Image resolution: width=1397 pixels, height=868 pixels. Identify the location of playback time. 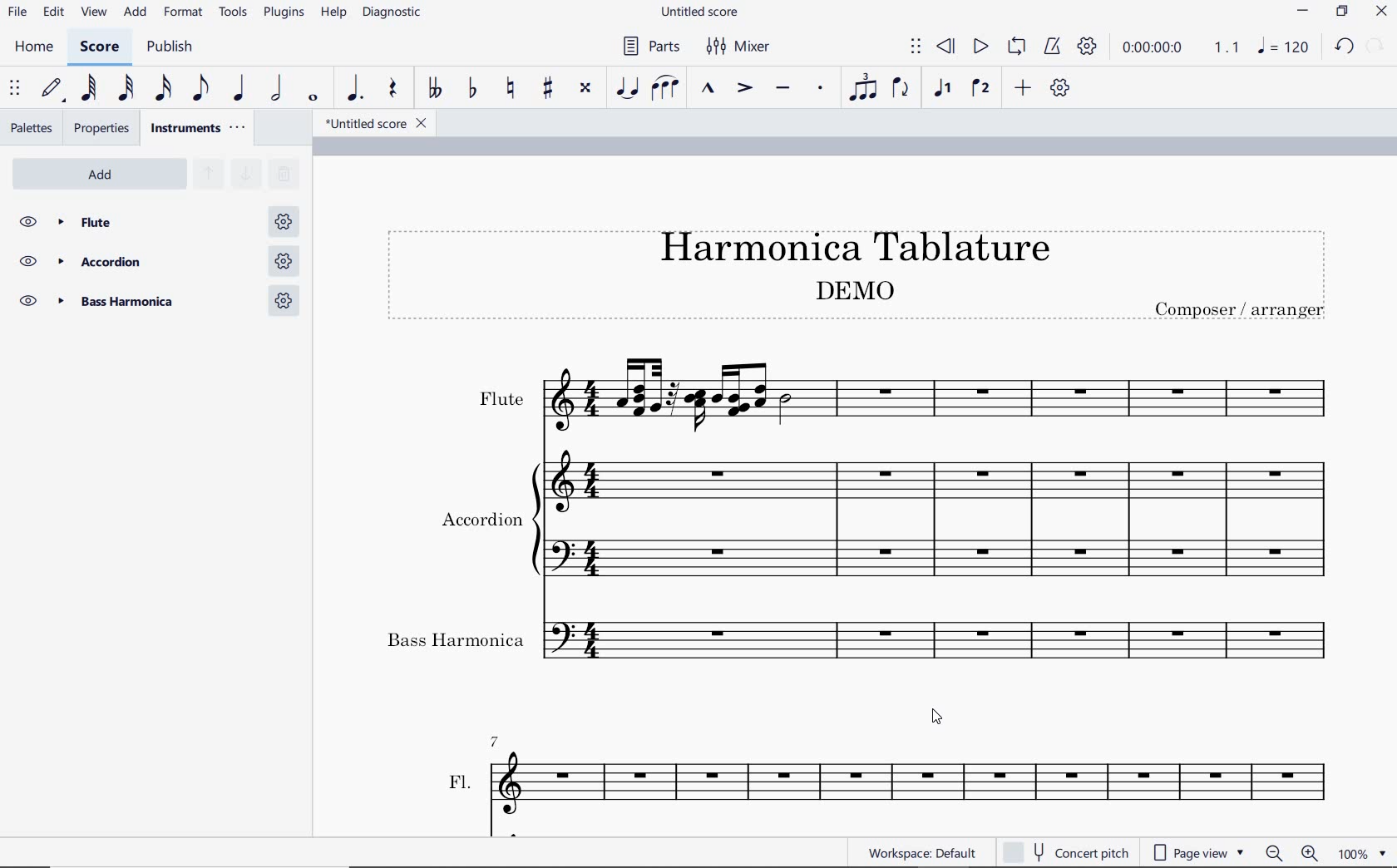
(1156, 50).